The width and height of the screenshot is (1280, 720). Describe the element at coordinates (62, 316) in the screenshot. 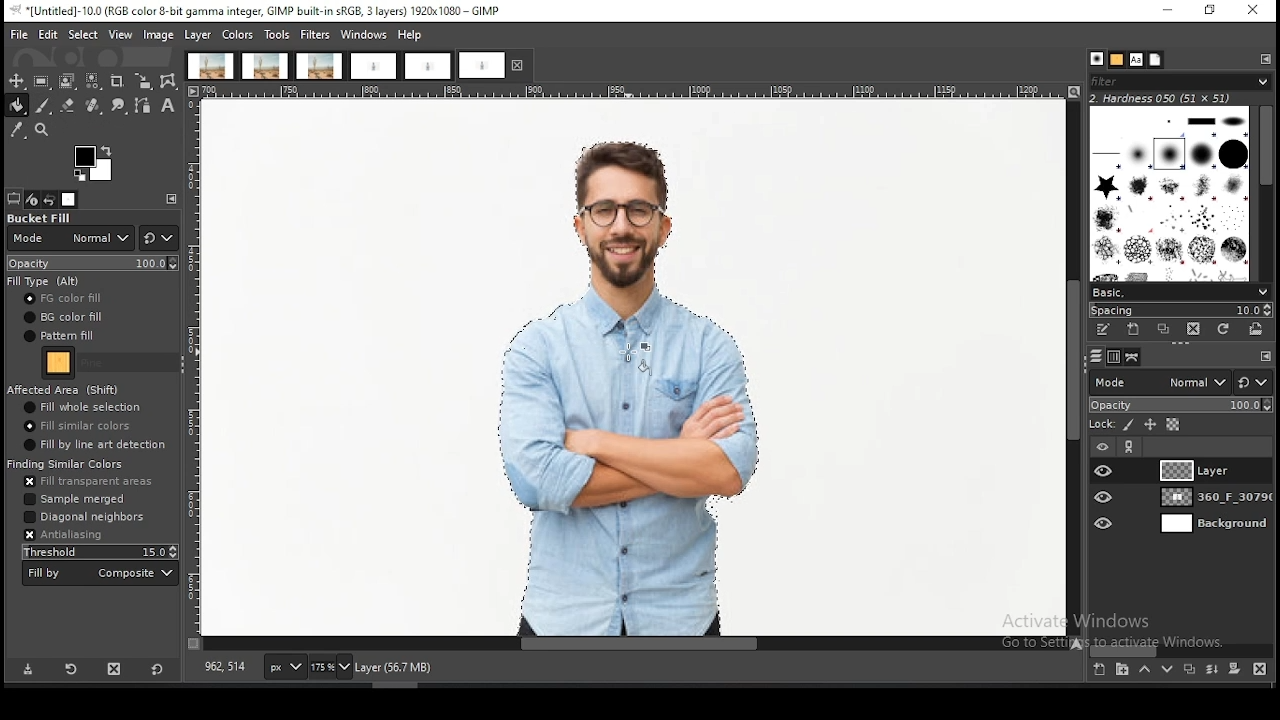

I see `BG color fill` at that location.